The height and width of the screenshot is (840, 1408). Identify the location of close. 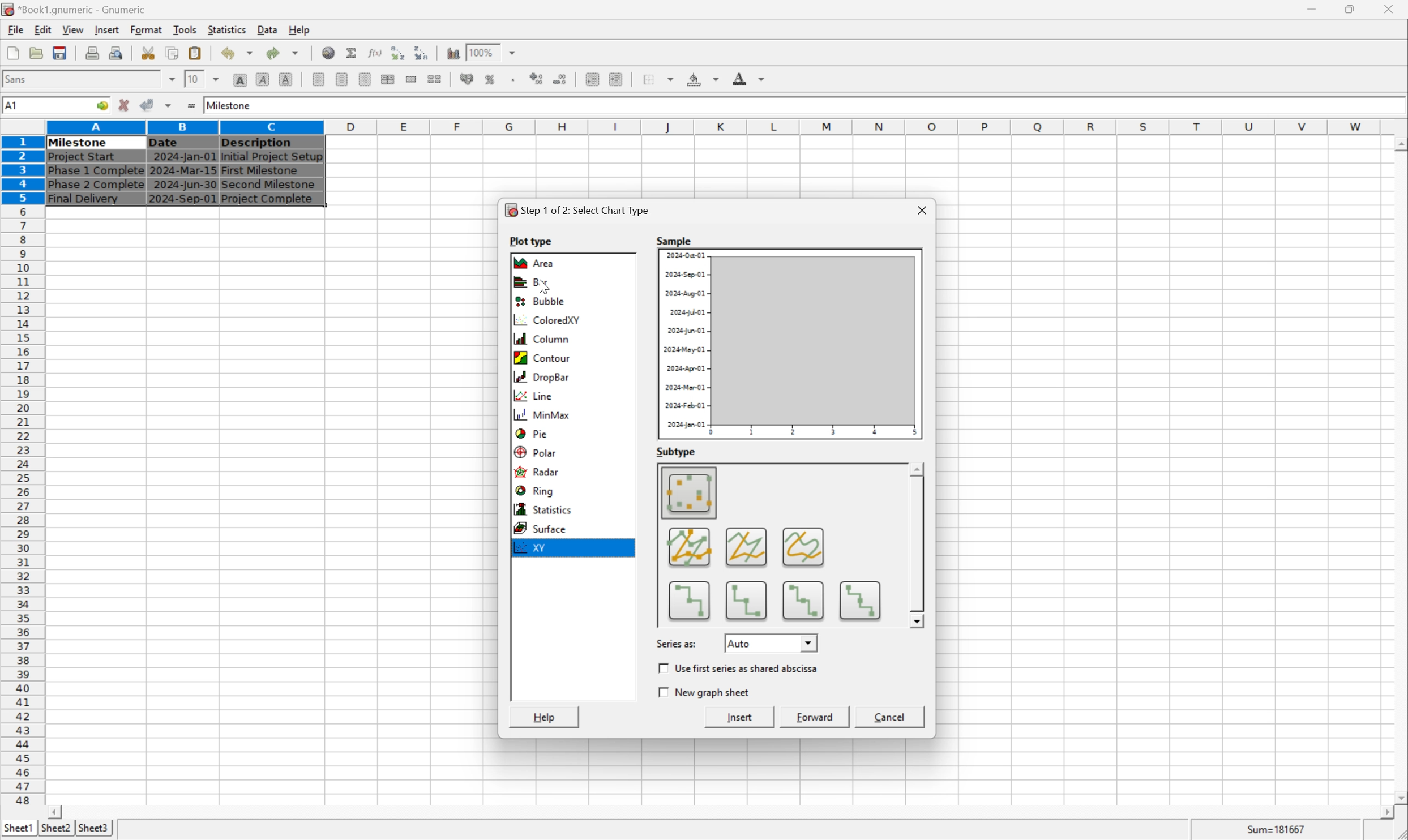
(1390, 7).